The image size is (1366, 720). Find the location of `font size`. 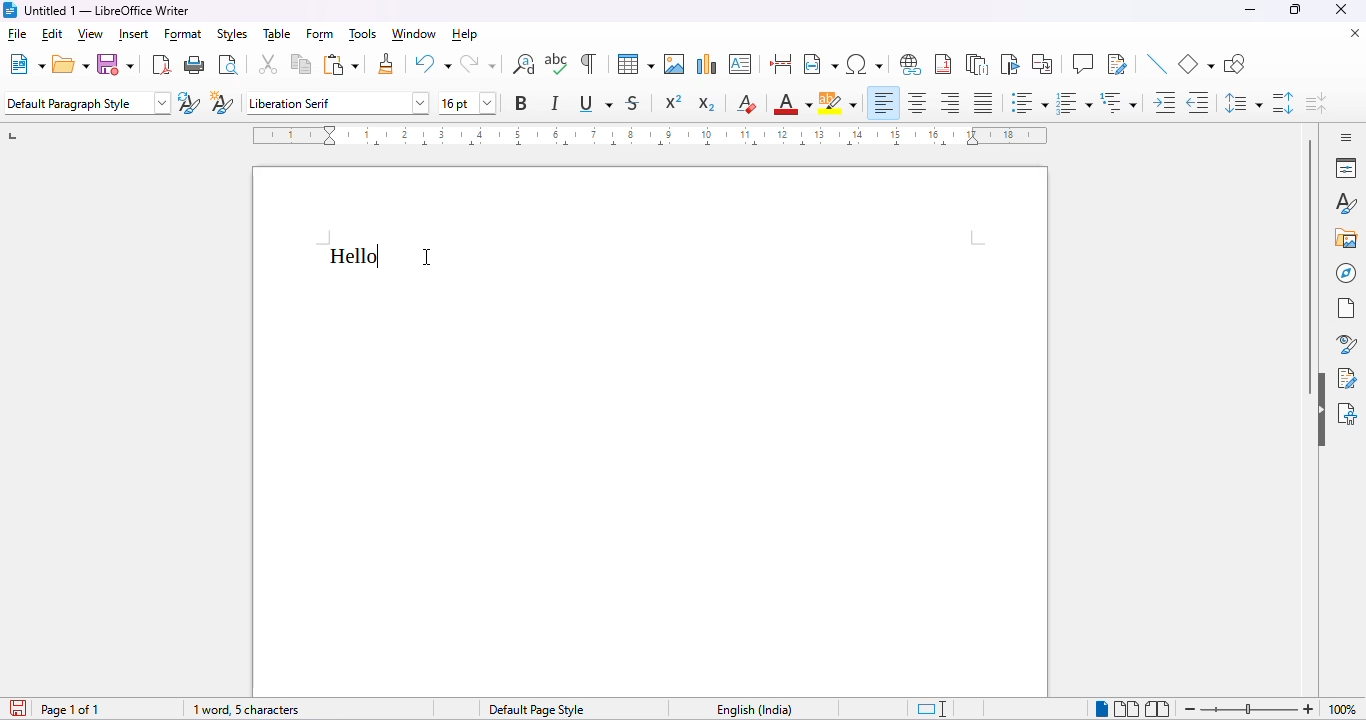

font size is located at coordinates (465, 103).